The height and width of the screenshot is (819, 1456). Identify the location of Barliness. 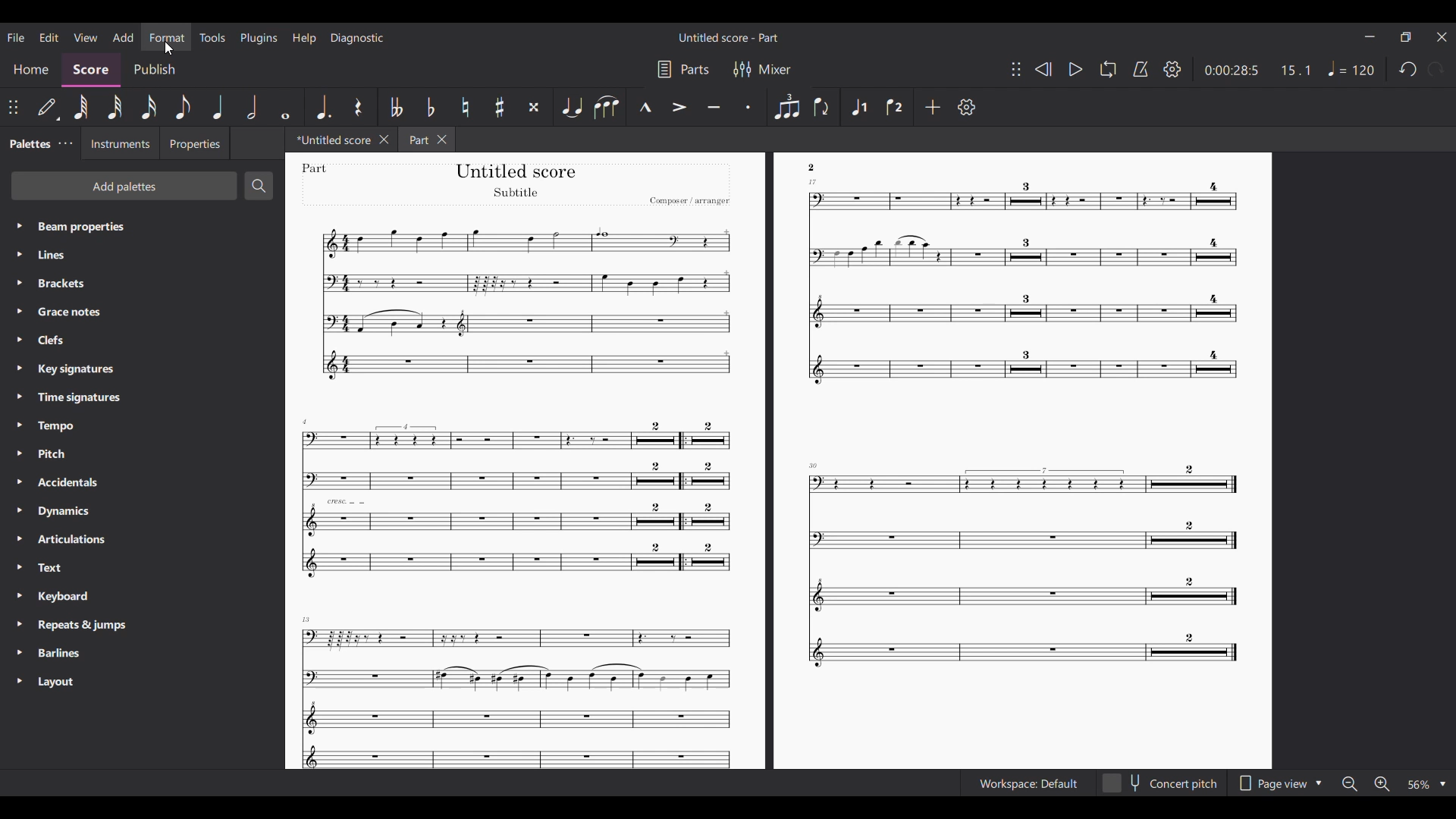
(61, 651).